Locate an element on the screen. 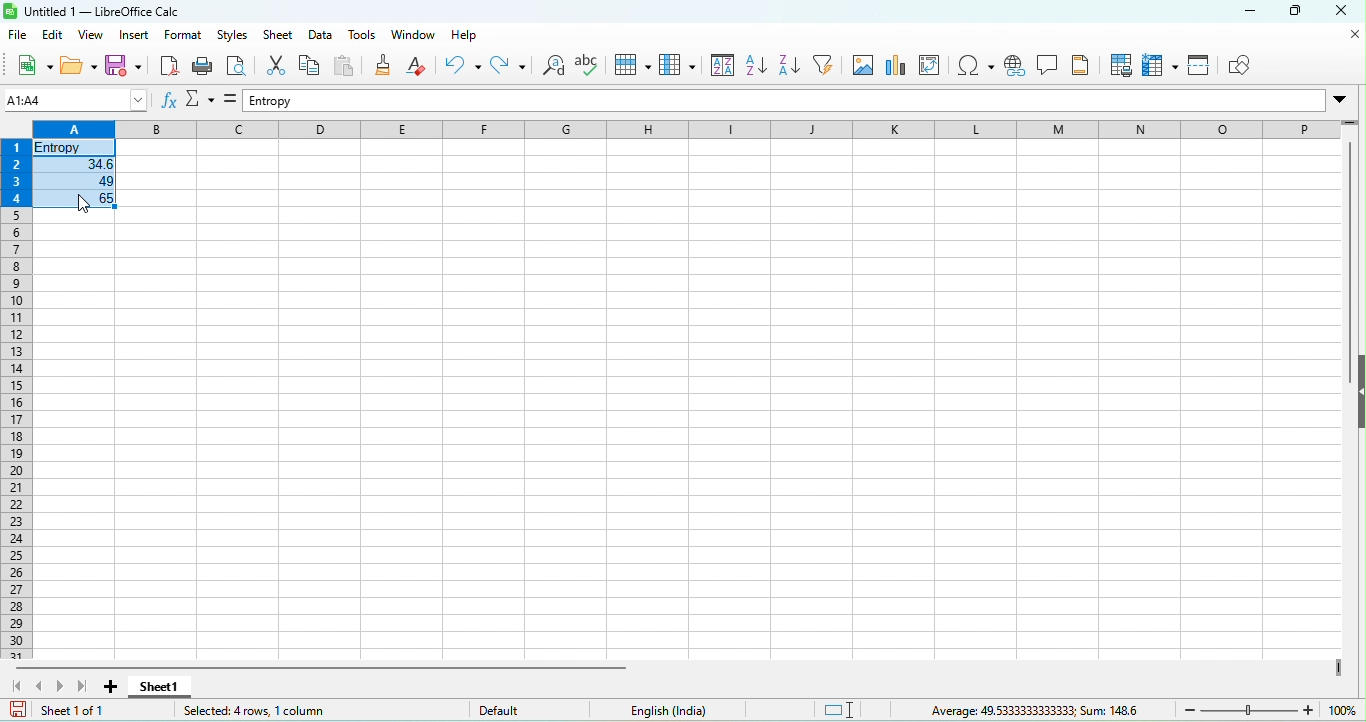 Image resolution: width=1366 pixels, height=722 pixels. drag to view more rows is located at coordinates (1347, 122).